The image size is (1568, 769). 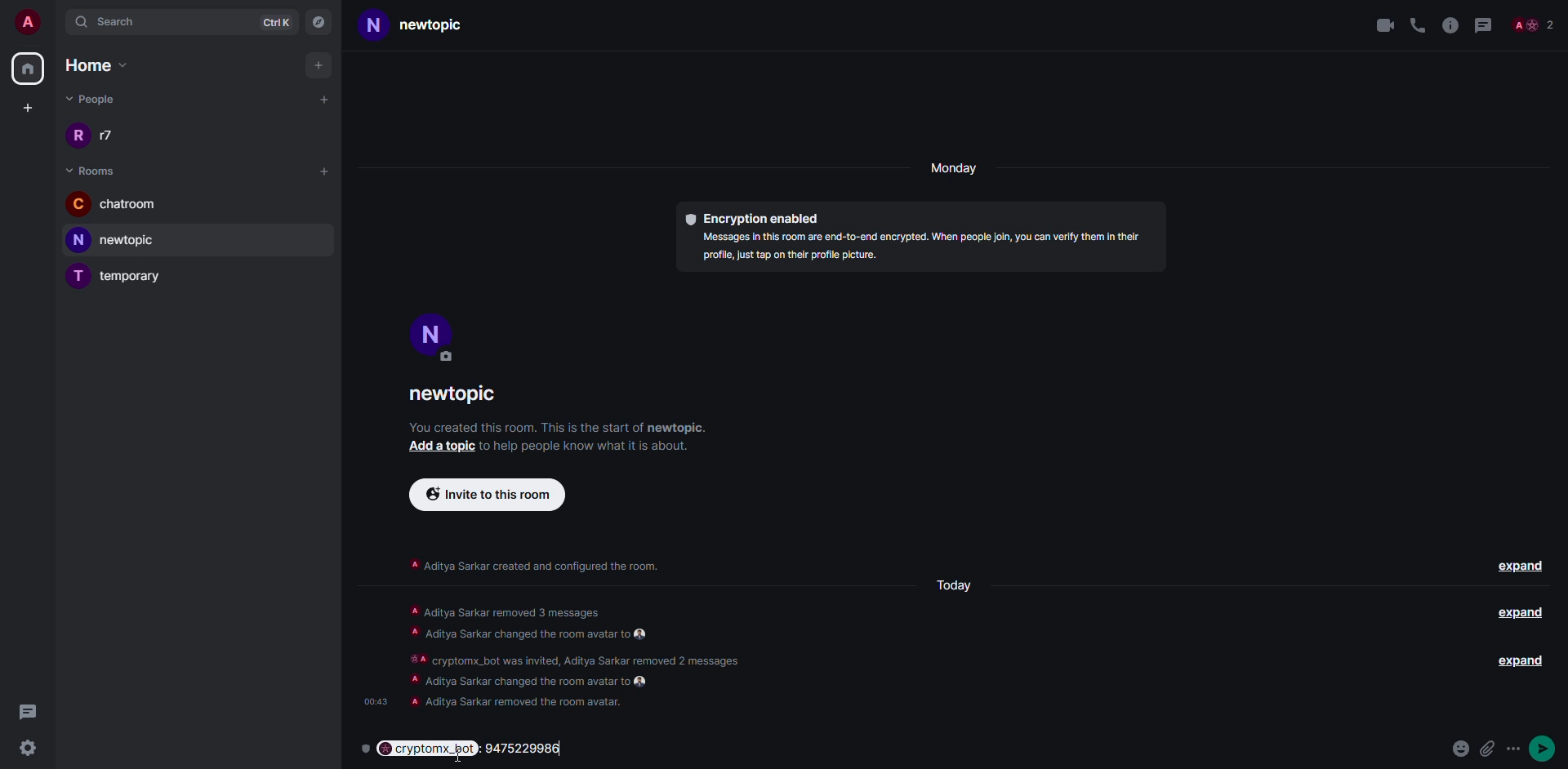 I want to click on Today, so click(x=952, y=585).